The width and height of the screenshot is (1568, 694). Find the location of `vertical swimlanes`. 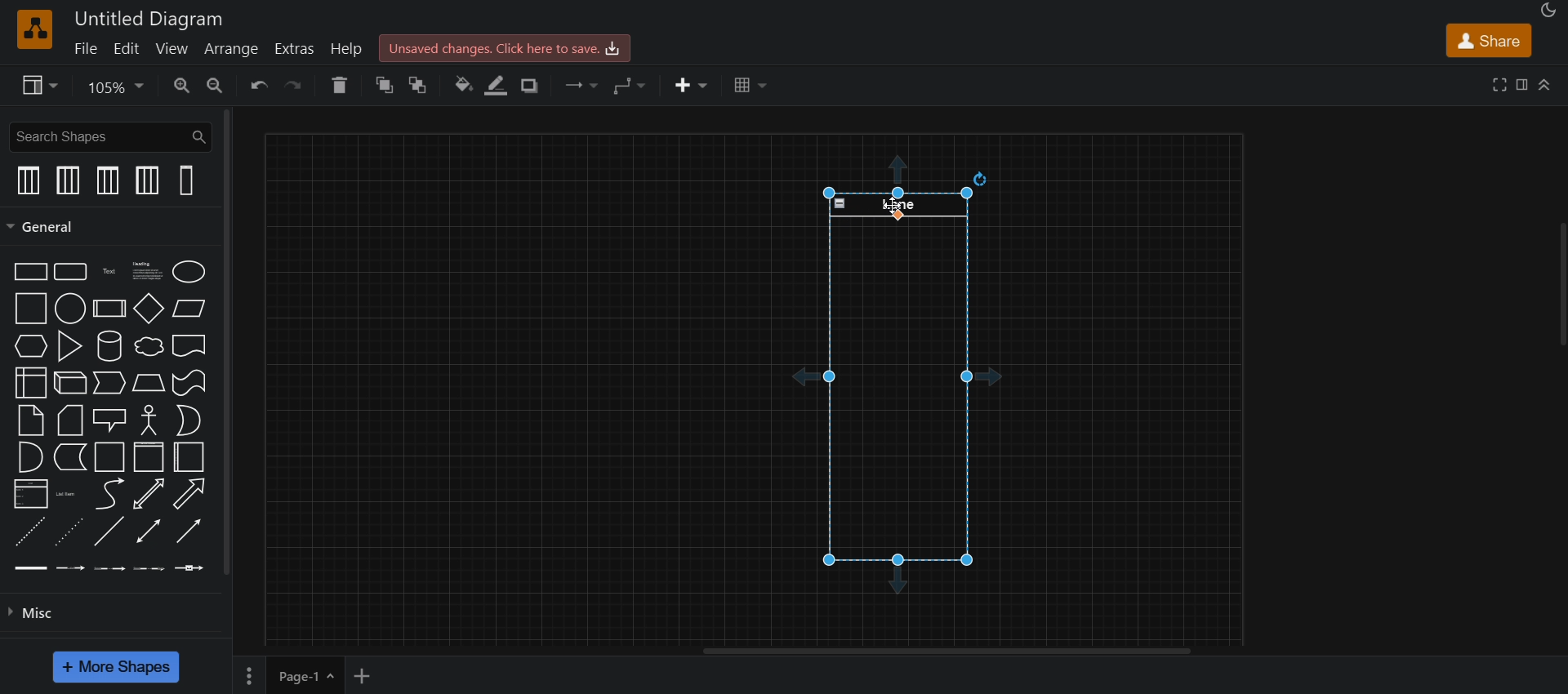

vertical swimlanes is located at coordinates (187, 182).